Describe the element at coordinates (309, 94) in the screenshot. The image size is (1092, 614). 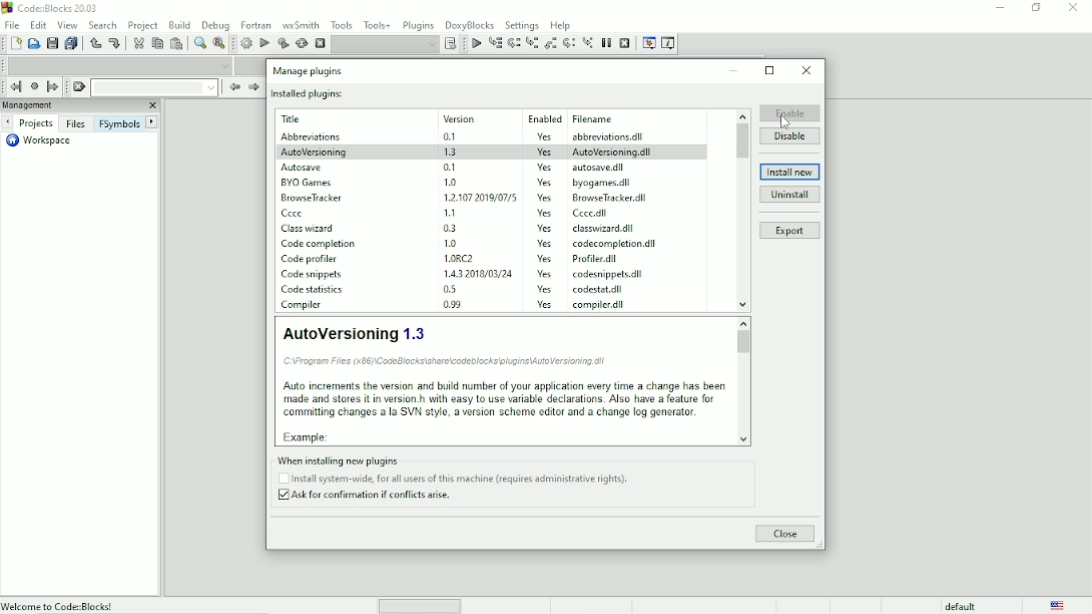
I see `Installed plugins` at that location.